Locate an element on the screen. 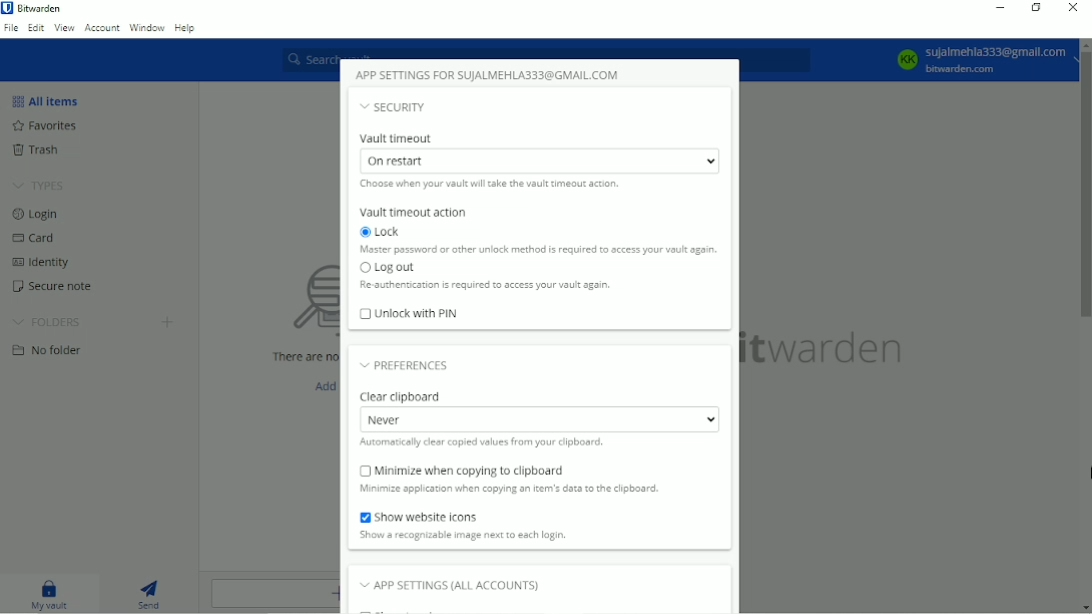 This screenshot has height=614, width=1092. Vertical scrollbar is located at coordinates (1085, 187).